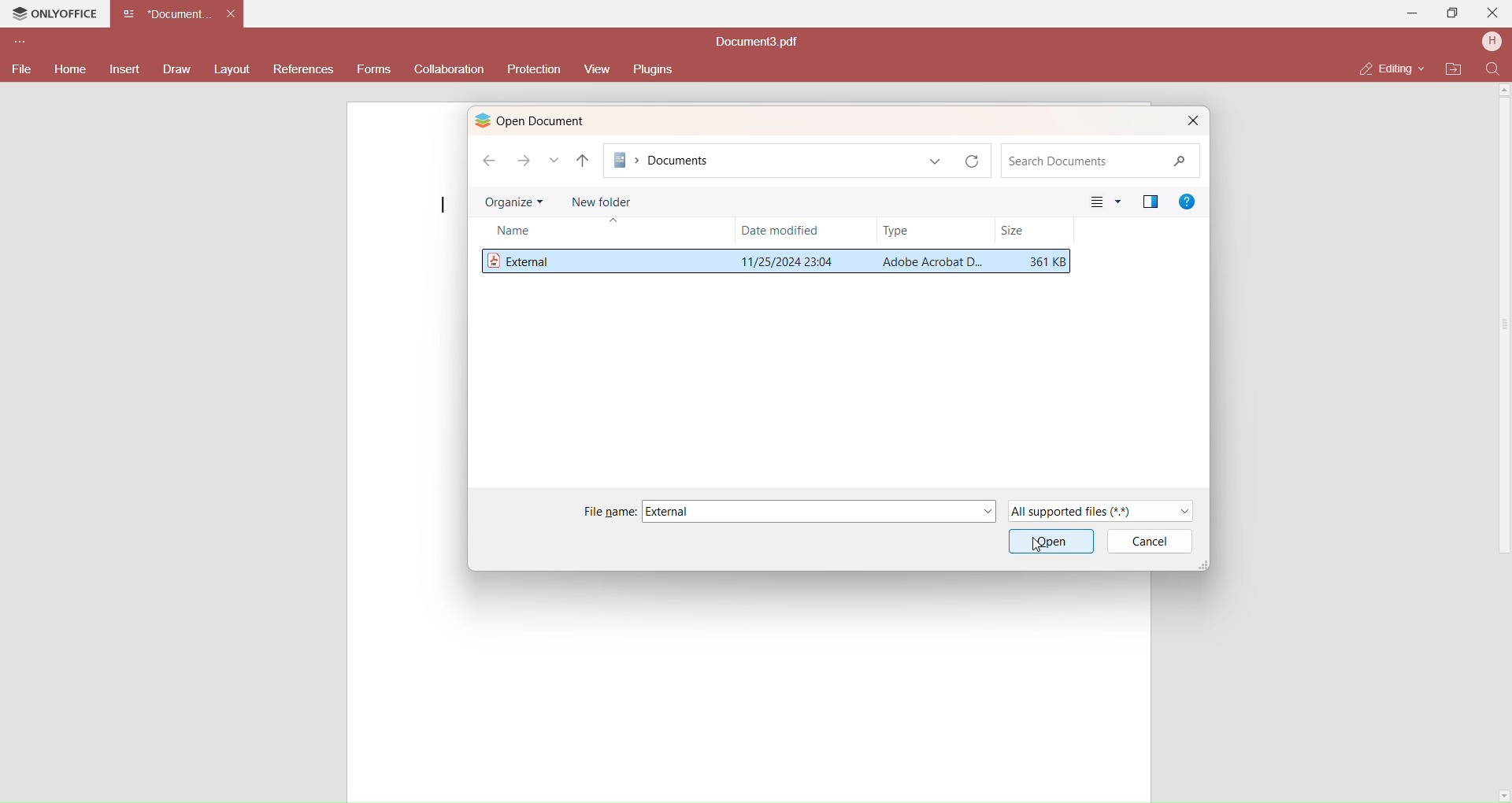  Describe the element at coordinates (69, 69) in the screenshot. I see `Home` at that location.